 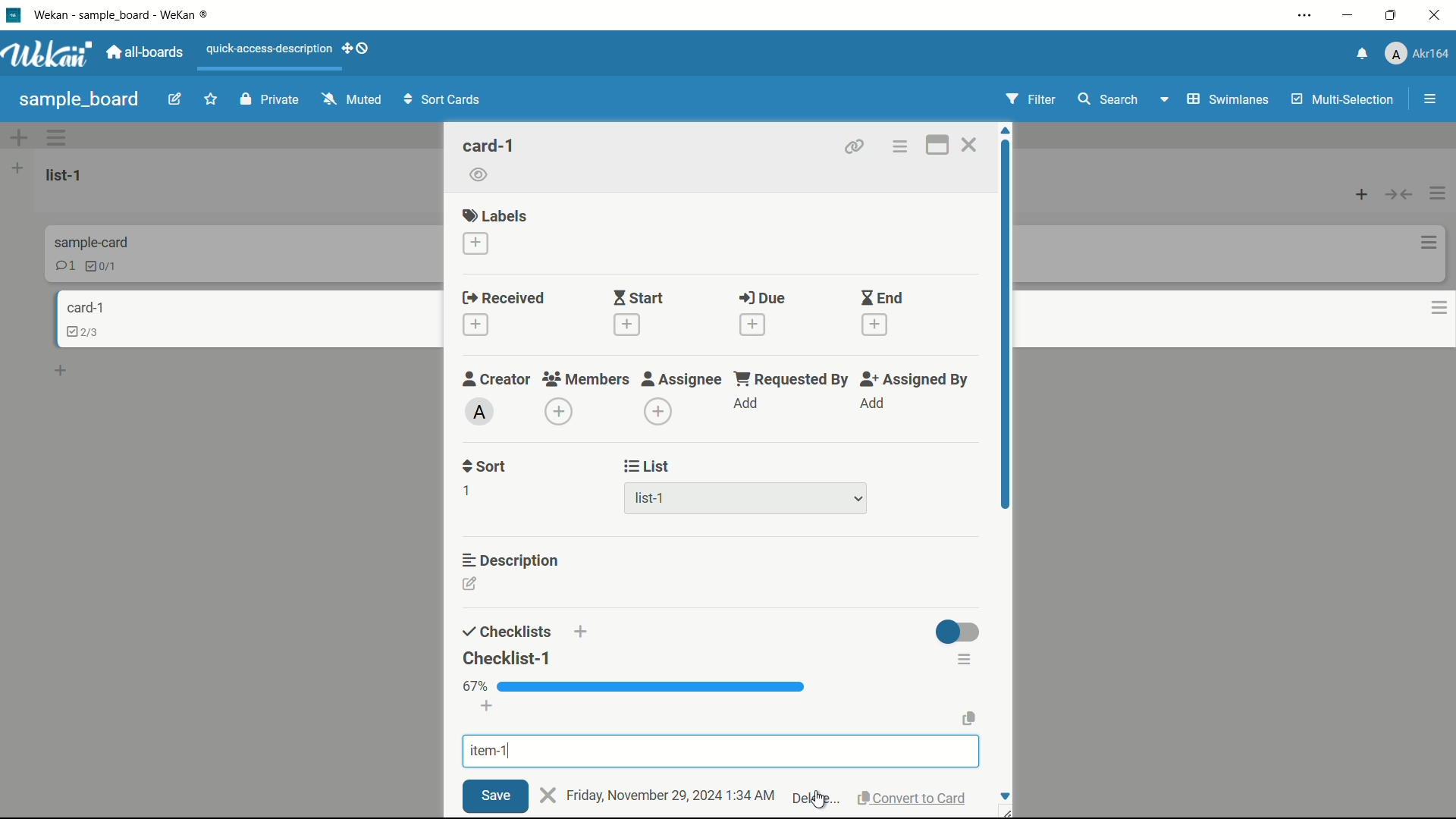 I want to click on convert to card, so click(x=912, y=796).